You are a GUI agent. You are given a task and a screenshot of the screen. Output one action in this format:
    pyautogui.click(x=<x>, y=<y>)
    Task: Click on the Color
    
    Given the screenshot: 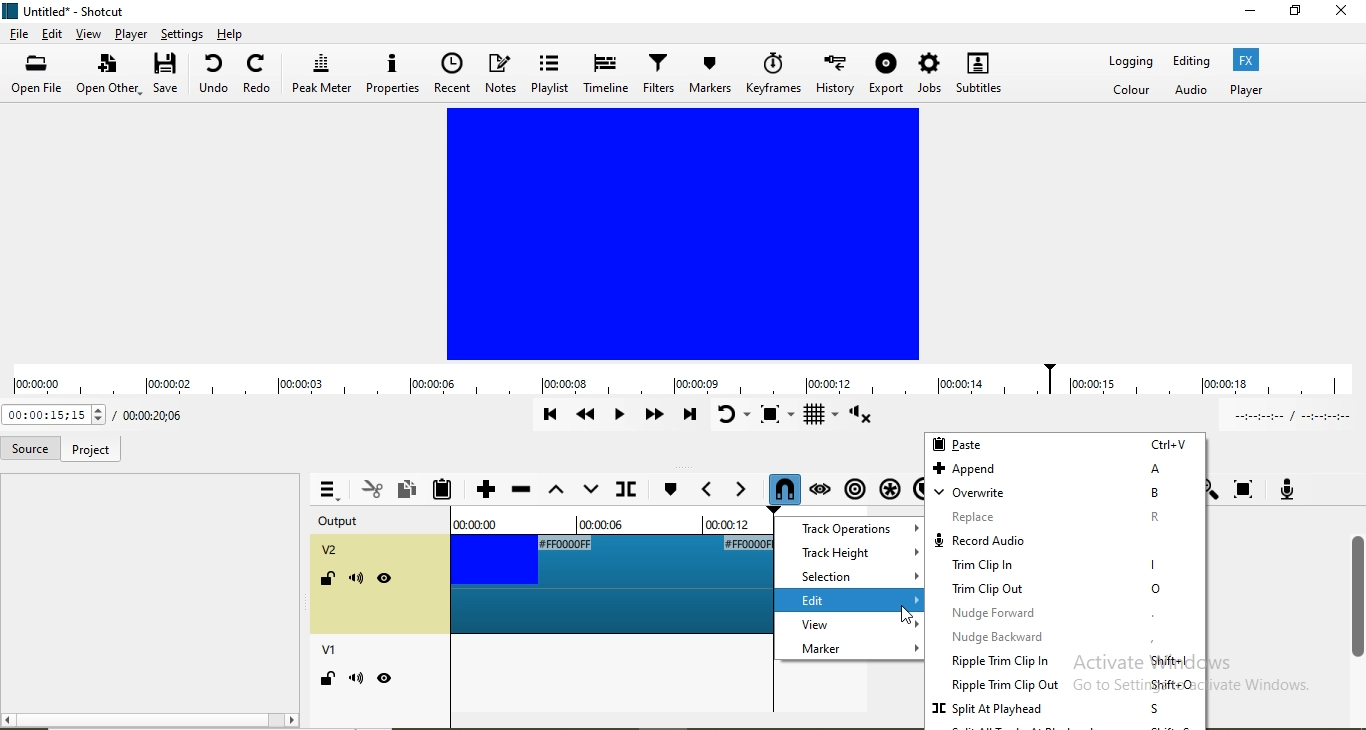 What is the action you would take?
    pyautogui.click(x=1133, y=91)
    